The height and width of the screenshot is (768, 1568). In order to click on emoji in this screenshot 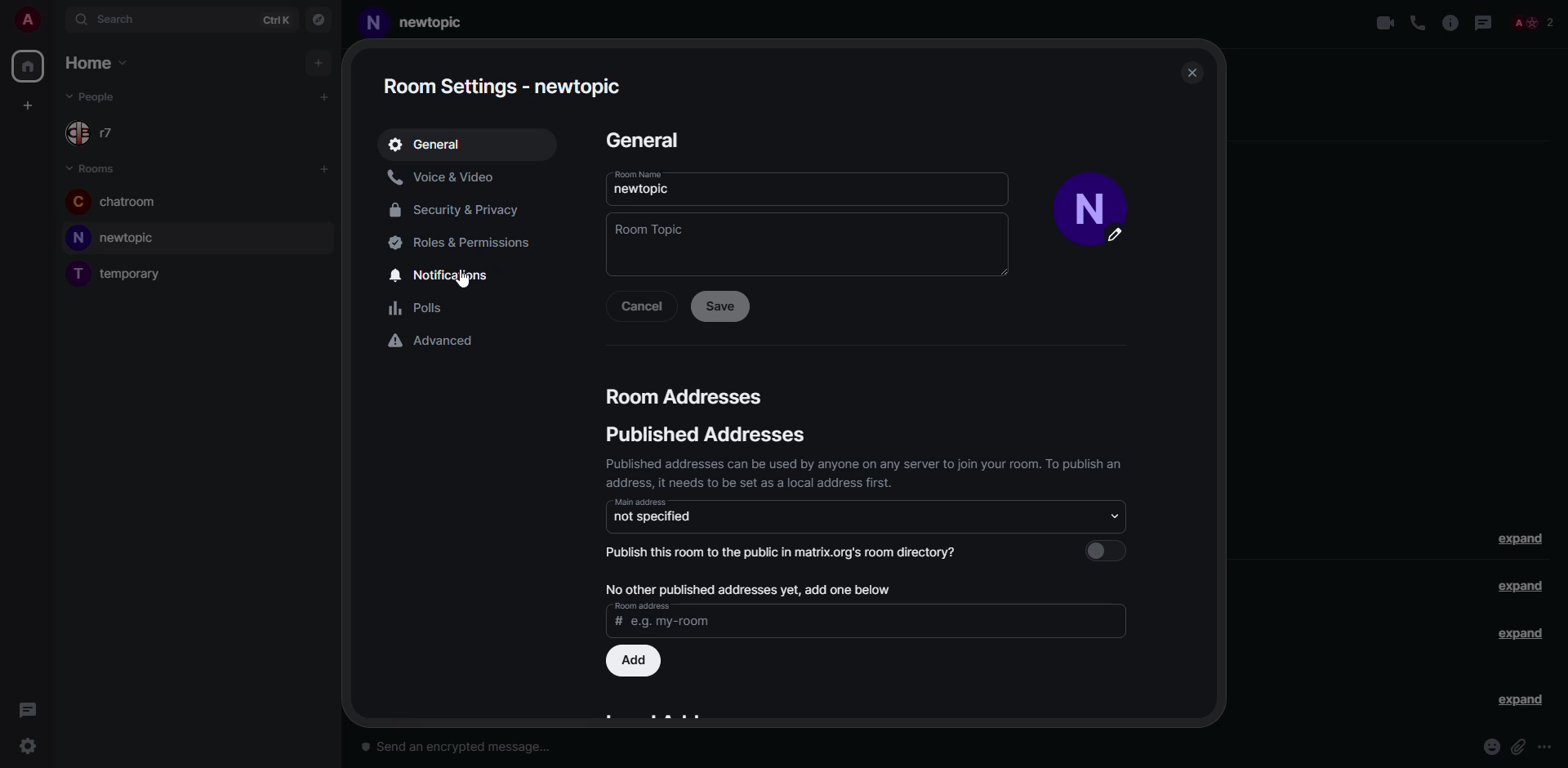, I will do `click(1491, 747)`.